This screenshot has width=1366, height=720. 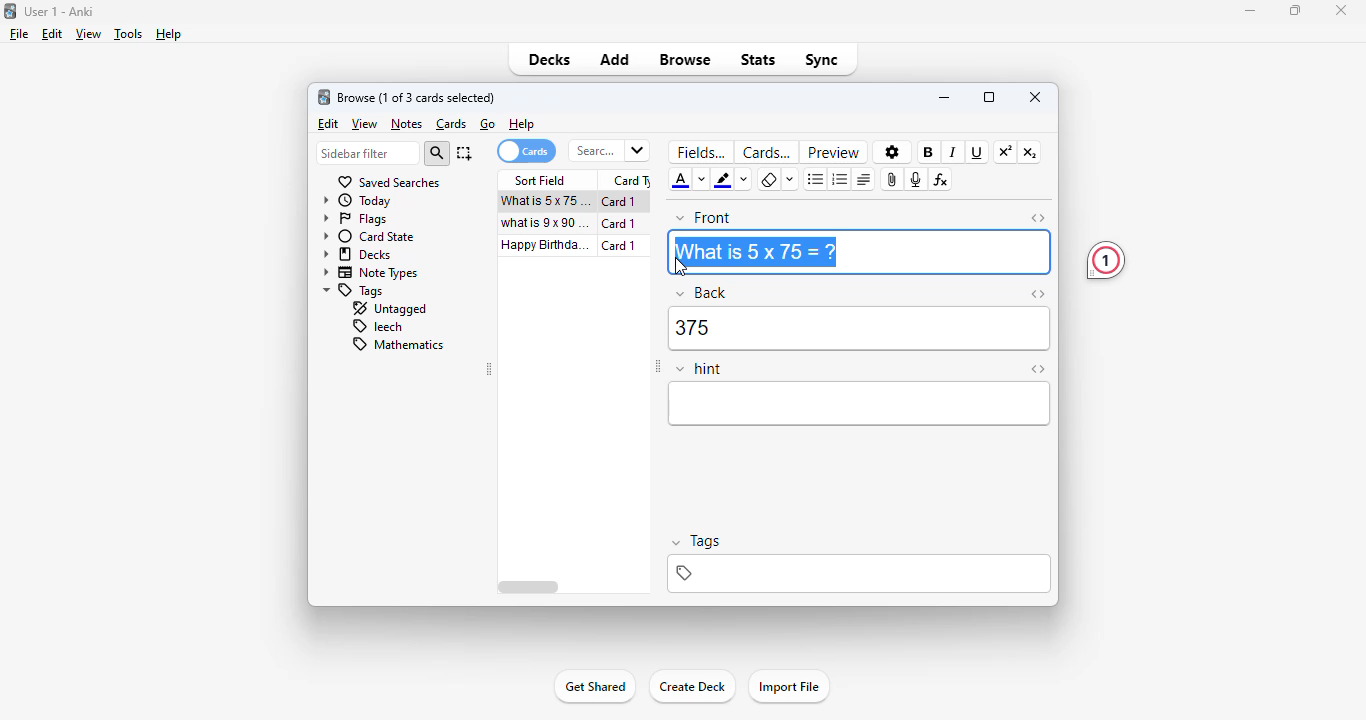 What do you see at coordinates (861, 574) in the screenshot?
I see `tags` at bounding box center [861, 574].